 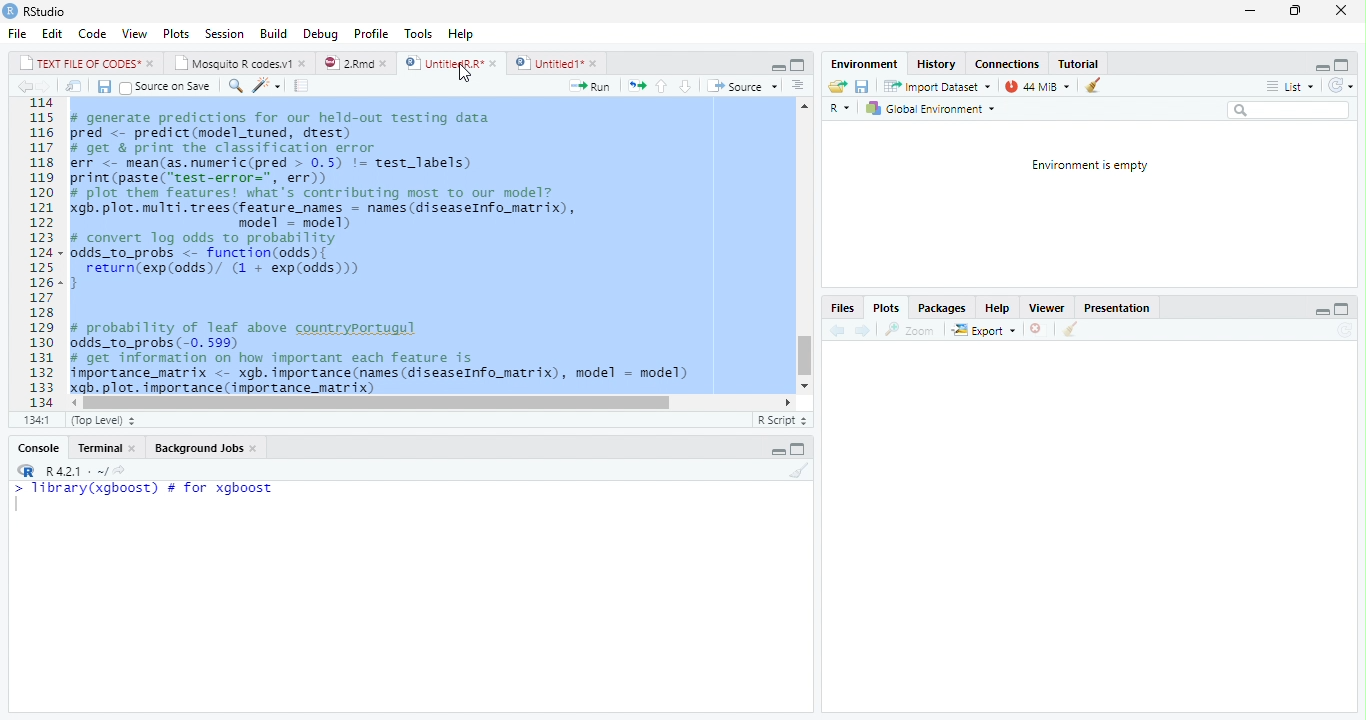 I want to click on Terminal, so click(x=105, y=449).